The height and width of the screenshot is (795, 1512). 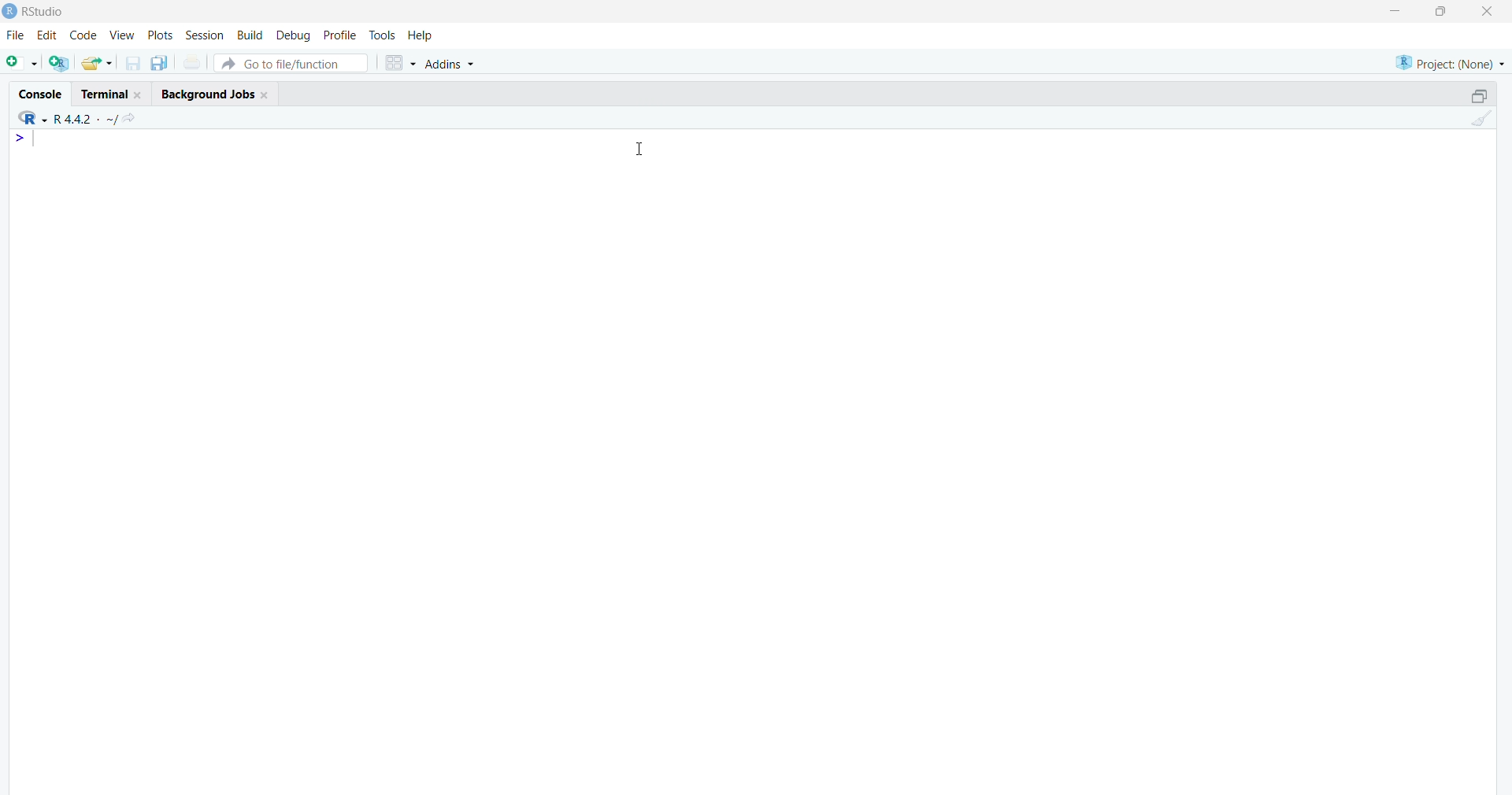 What do you see at coordinates (384, 35) in the screenshot?
I see `tools` at bounding box center [384, 35].